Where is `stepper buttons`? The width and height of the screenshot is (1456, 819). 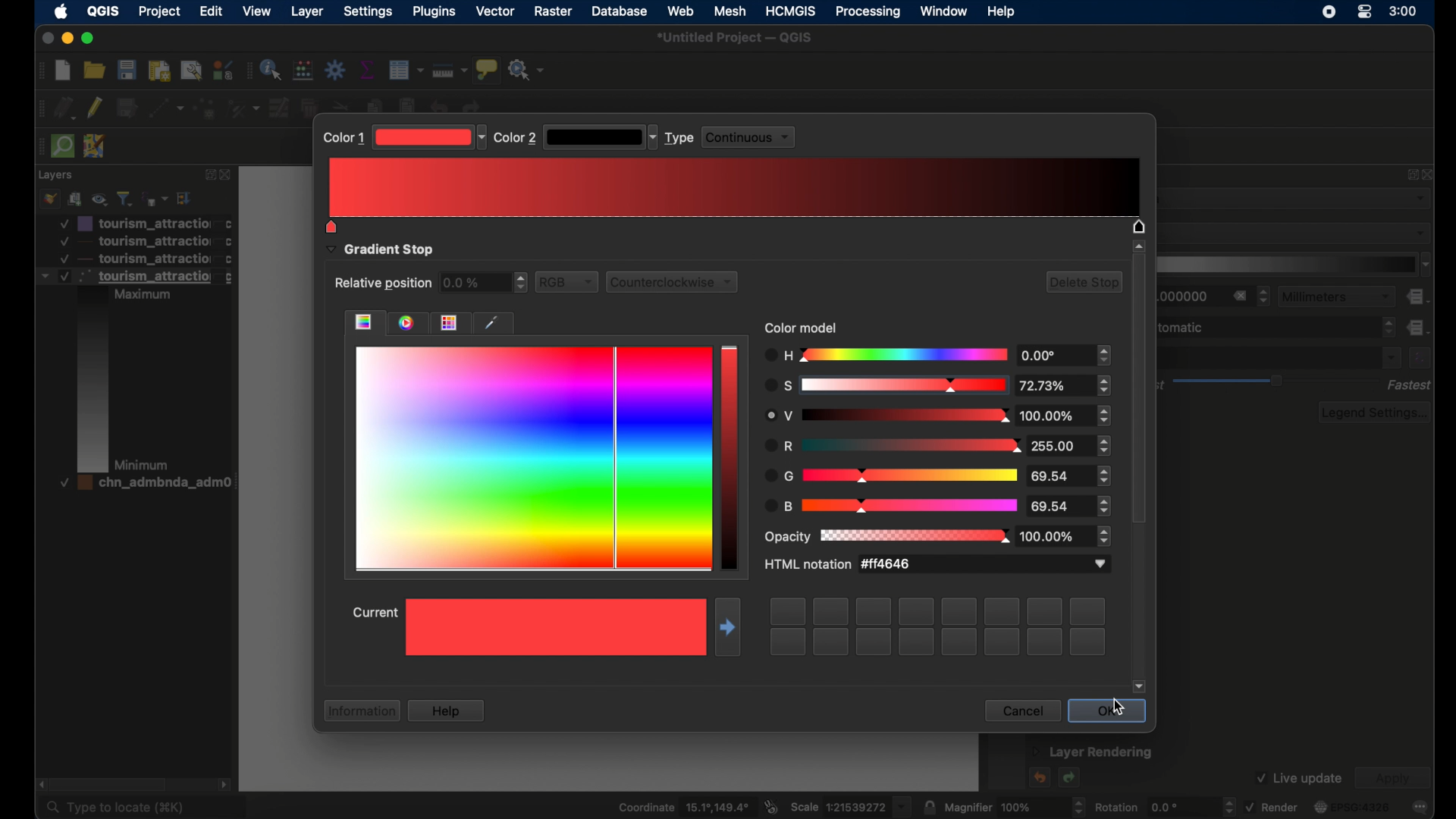
stepper buttons is located at coordinates (1064, 385).